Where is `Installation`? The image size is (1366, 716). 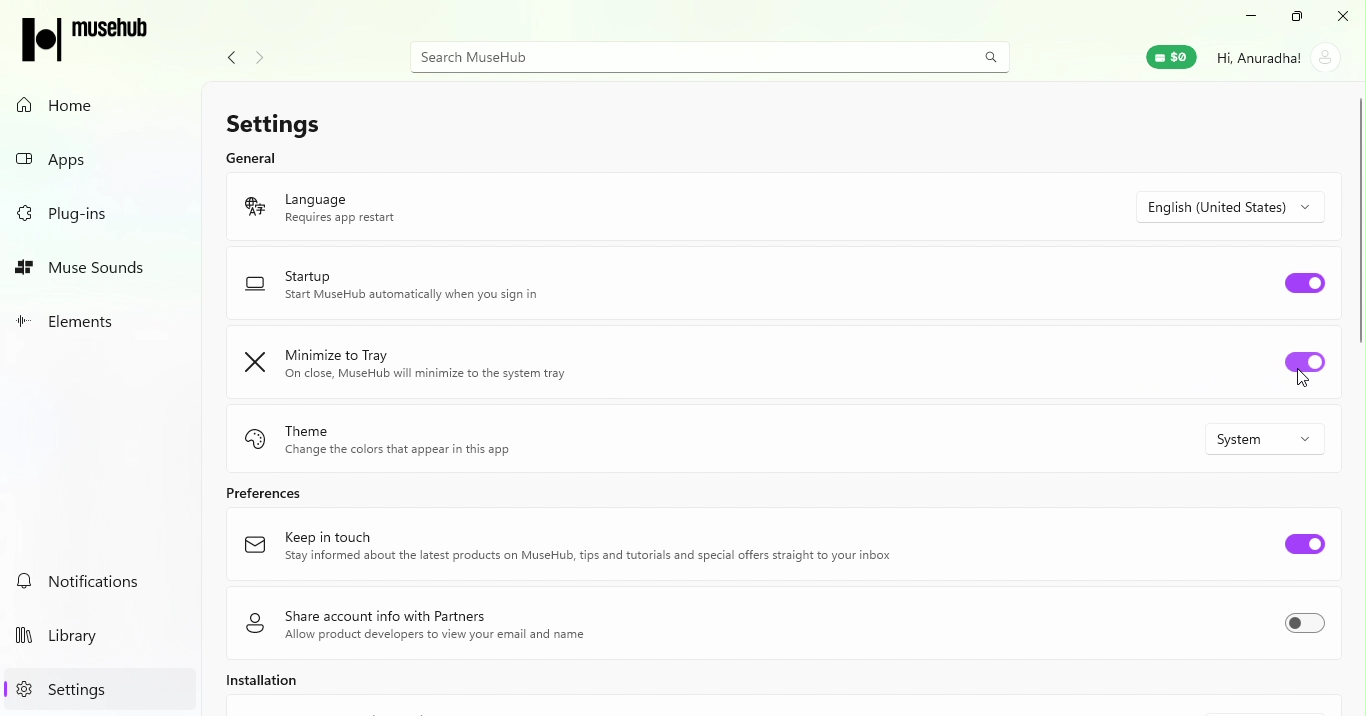 Installation is located at coordinates (283, 685).